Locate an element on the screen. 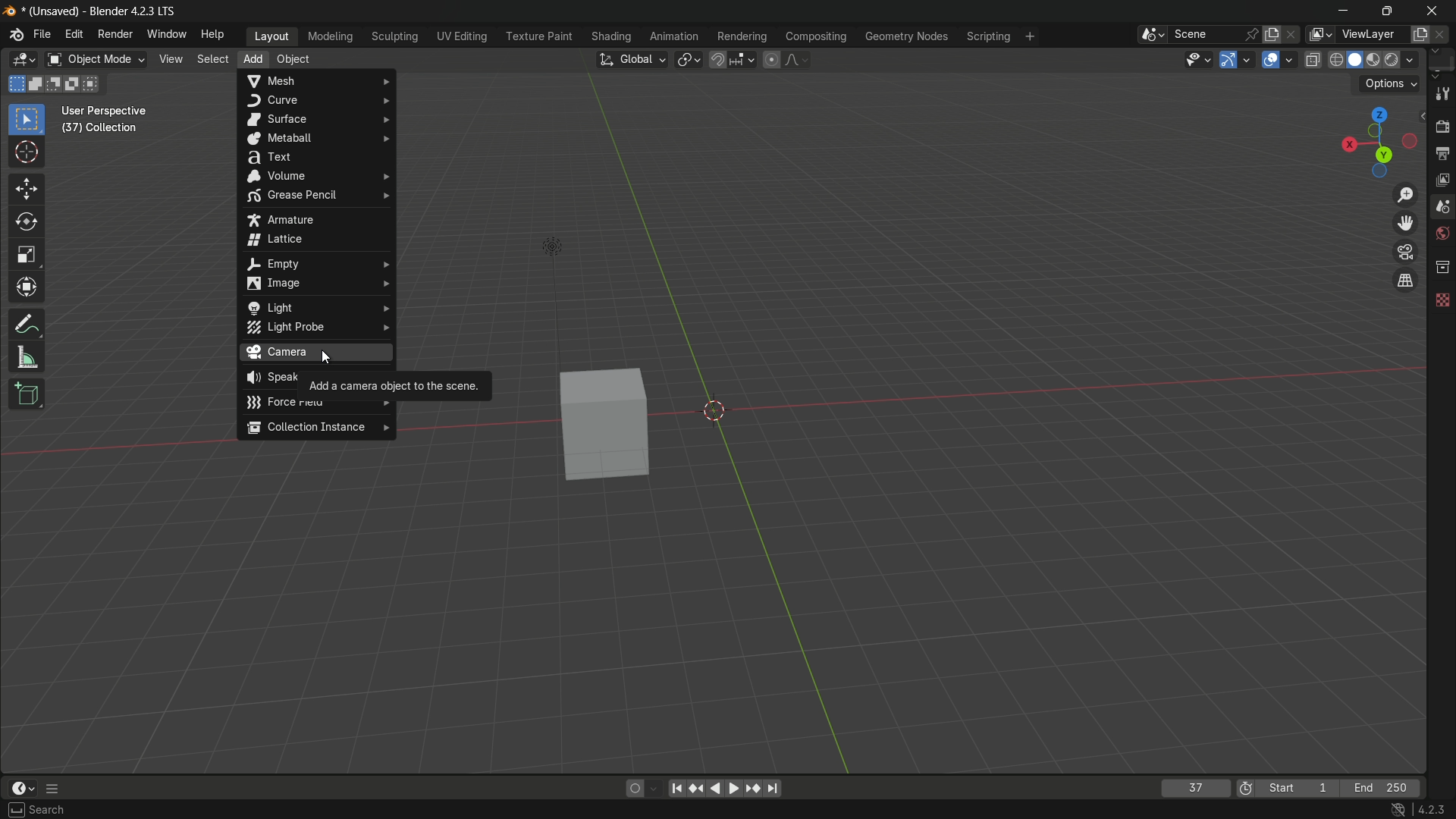 This screenshot has width=1456, height=819. cursor is located at coordinates (25, 154).